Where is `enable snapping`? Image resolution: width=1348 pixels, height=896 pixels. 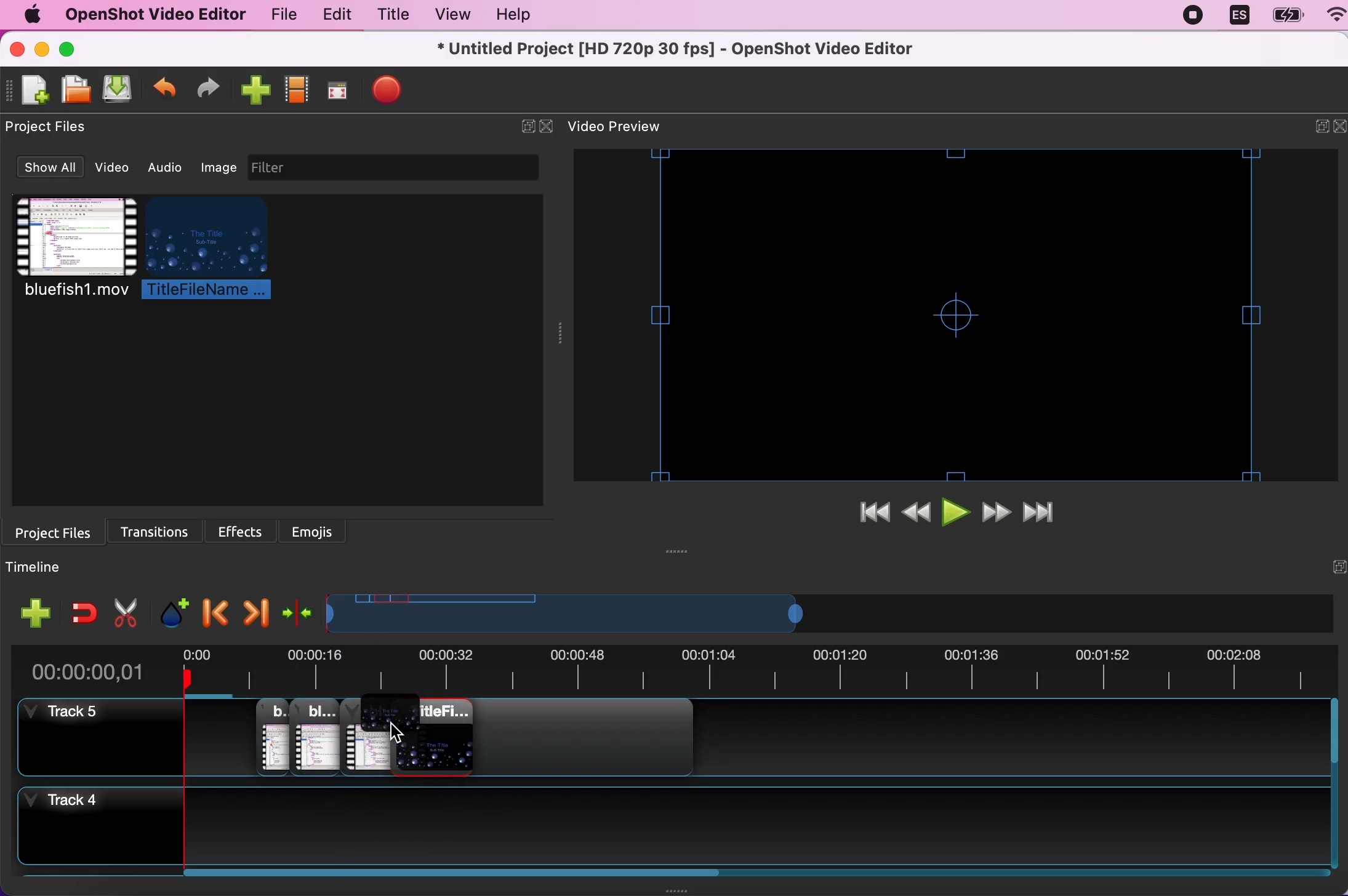
enable snapping is located at coordinates (84, 612).